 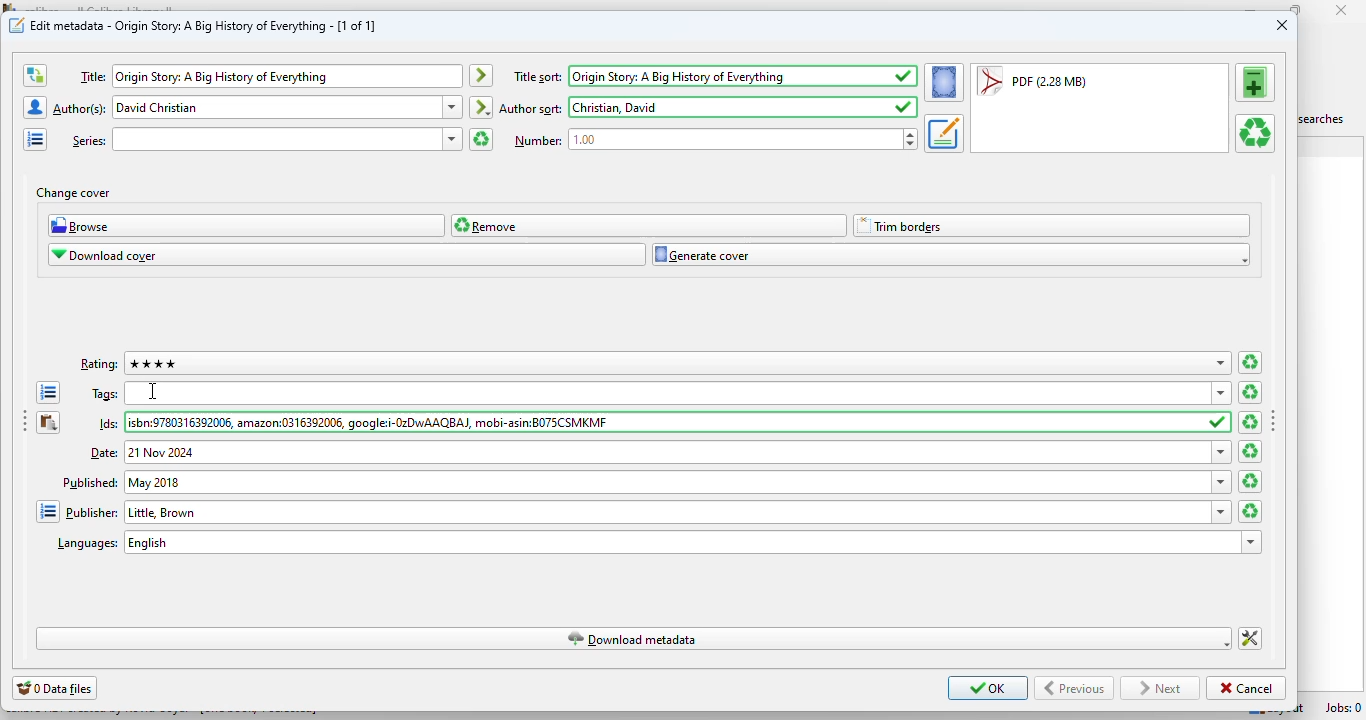 What do you see at coordinates (1250, 639) in the screenshot?
I see `change how calibre downloads metadata` at bounding box center [1250, 639].